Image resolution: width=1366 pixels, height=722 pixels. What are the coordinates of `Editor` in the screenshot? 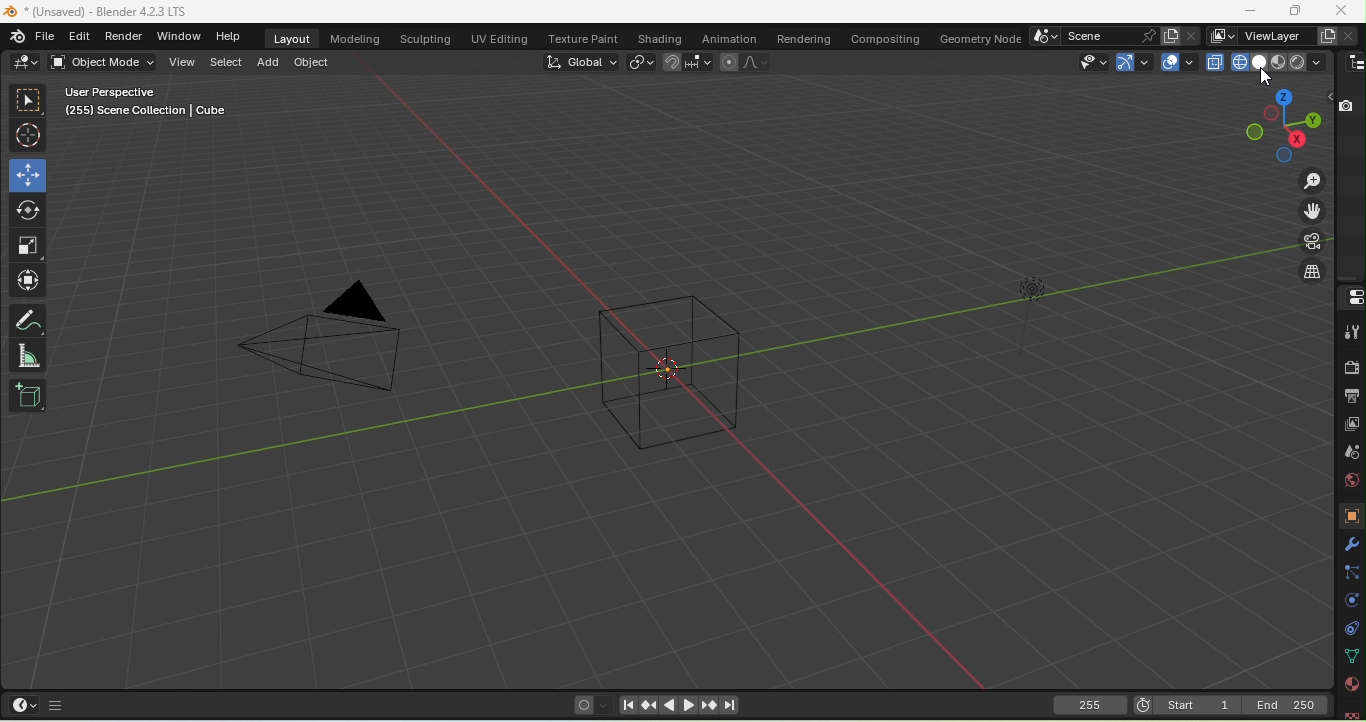 It's located at (27, 61).